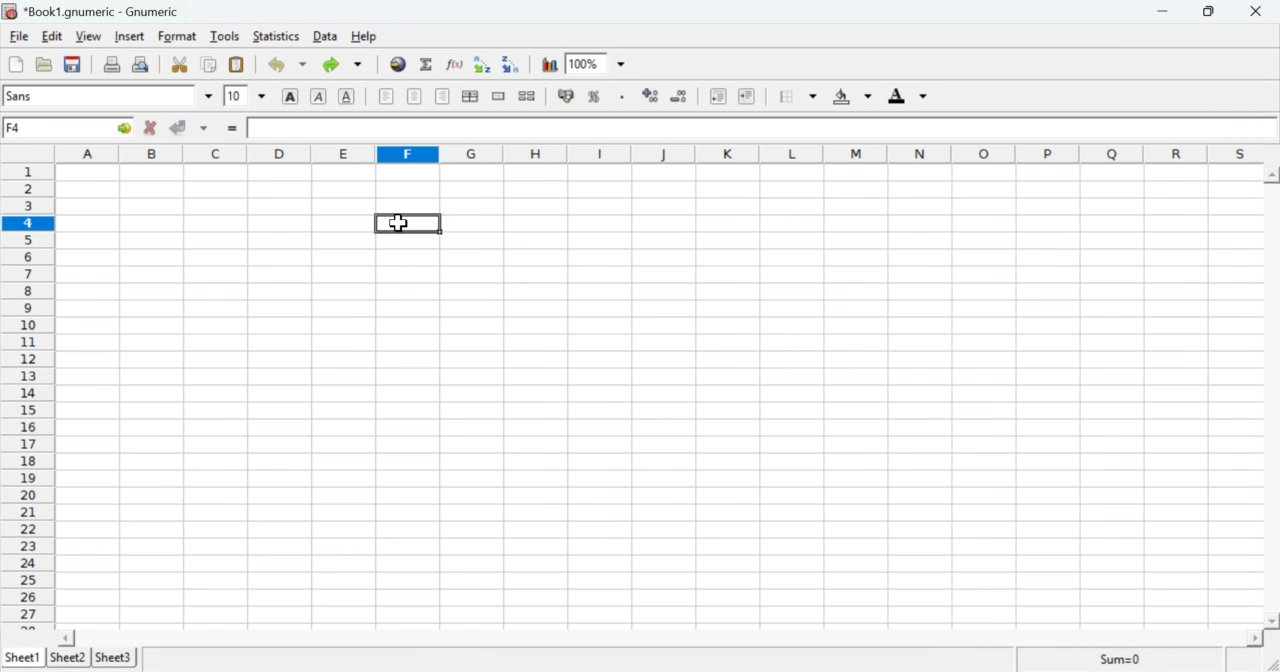 Image resolution: width=1280 pixels, height=672 pixels. I want to click on Font Size, so click(234, 96).